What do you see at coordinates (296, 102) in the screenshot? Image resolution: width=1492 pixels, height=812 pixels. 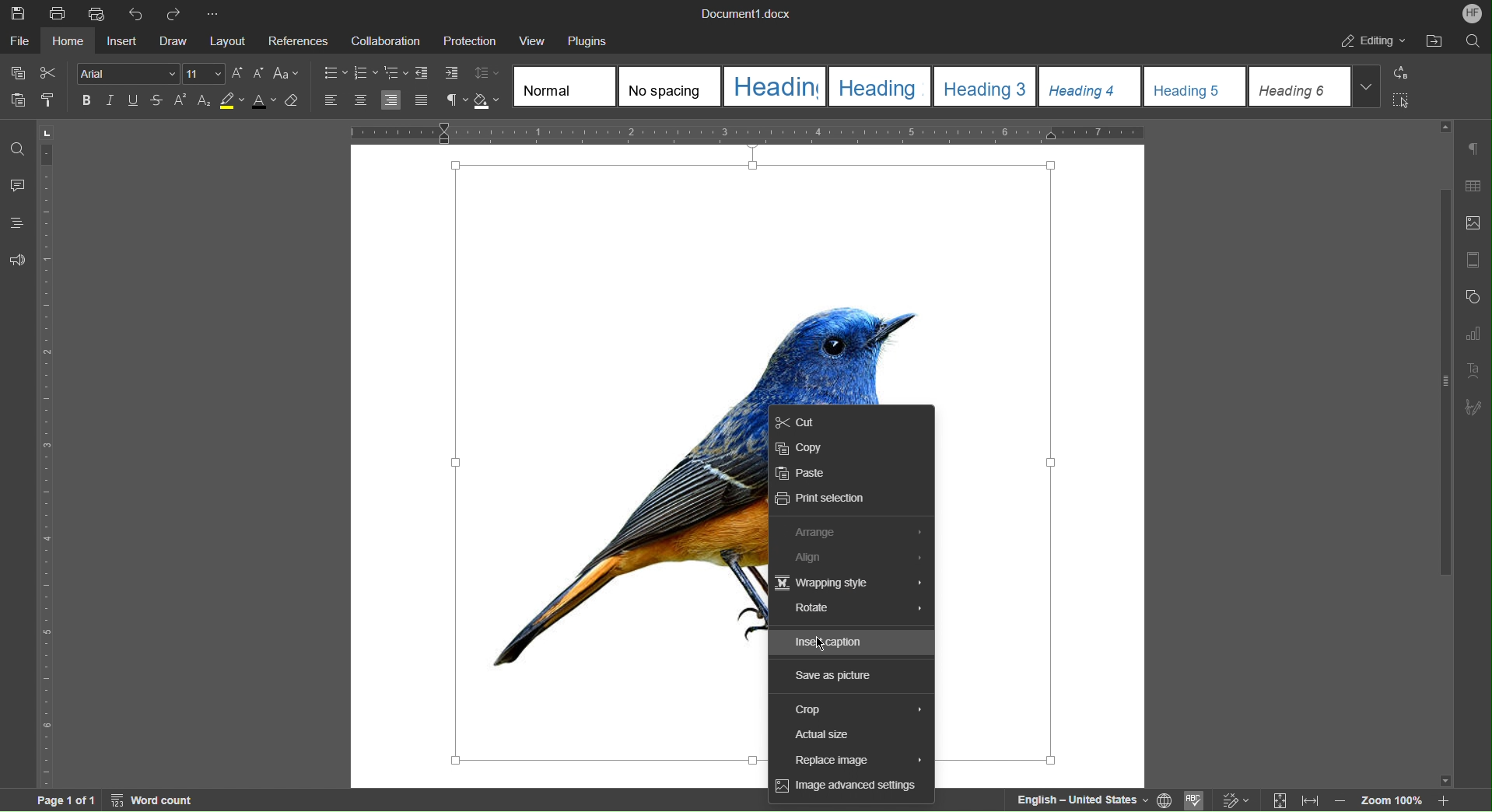 I see `Erase Style` at bounding box center [296, 102].